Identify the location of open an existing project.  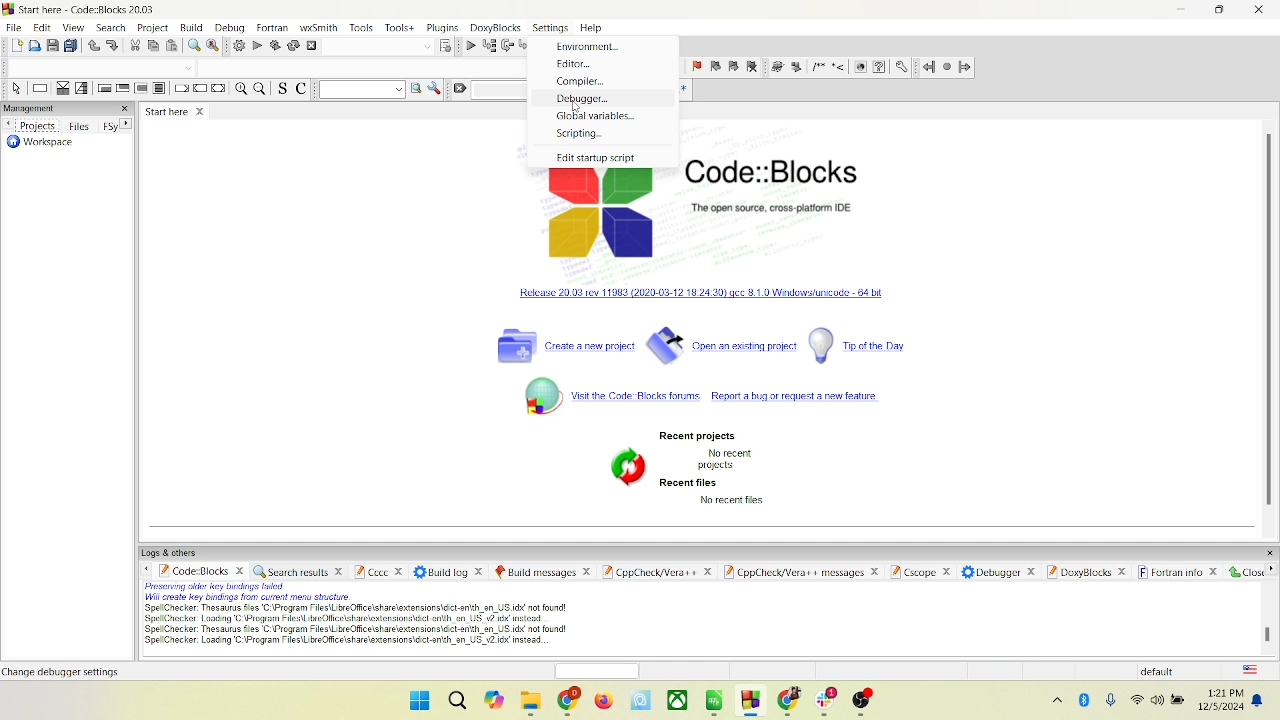
(726, 345).